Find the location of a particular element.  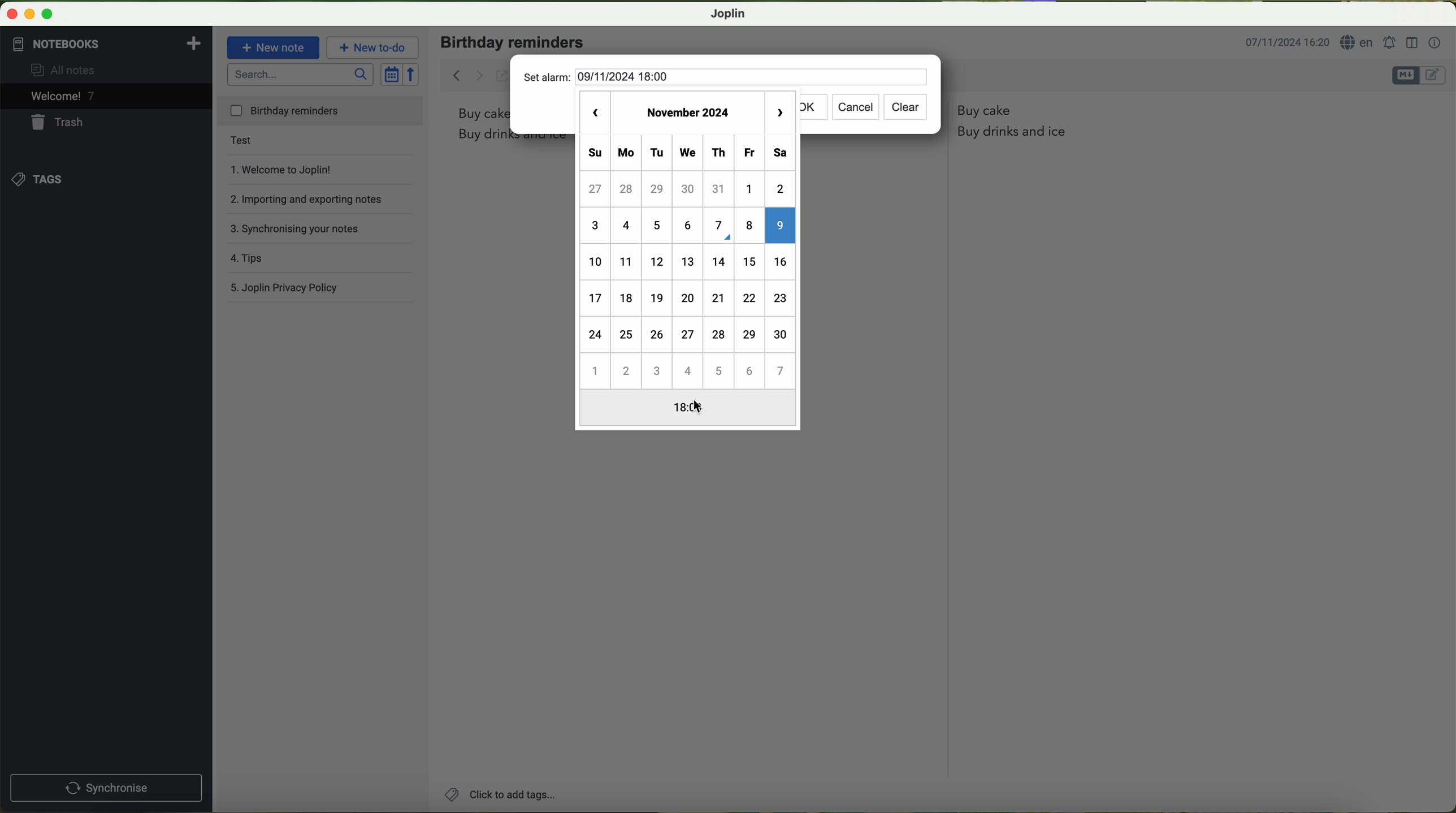

next is located at coordinates (775, 109).